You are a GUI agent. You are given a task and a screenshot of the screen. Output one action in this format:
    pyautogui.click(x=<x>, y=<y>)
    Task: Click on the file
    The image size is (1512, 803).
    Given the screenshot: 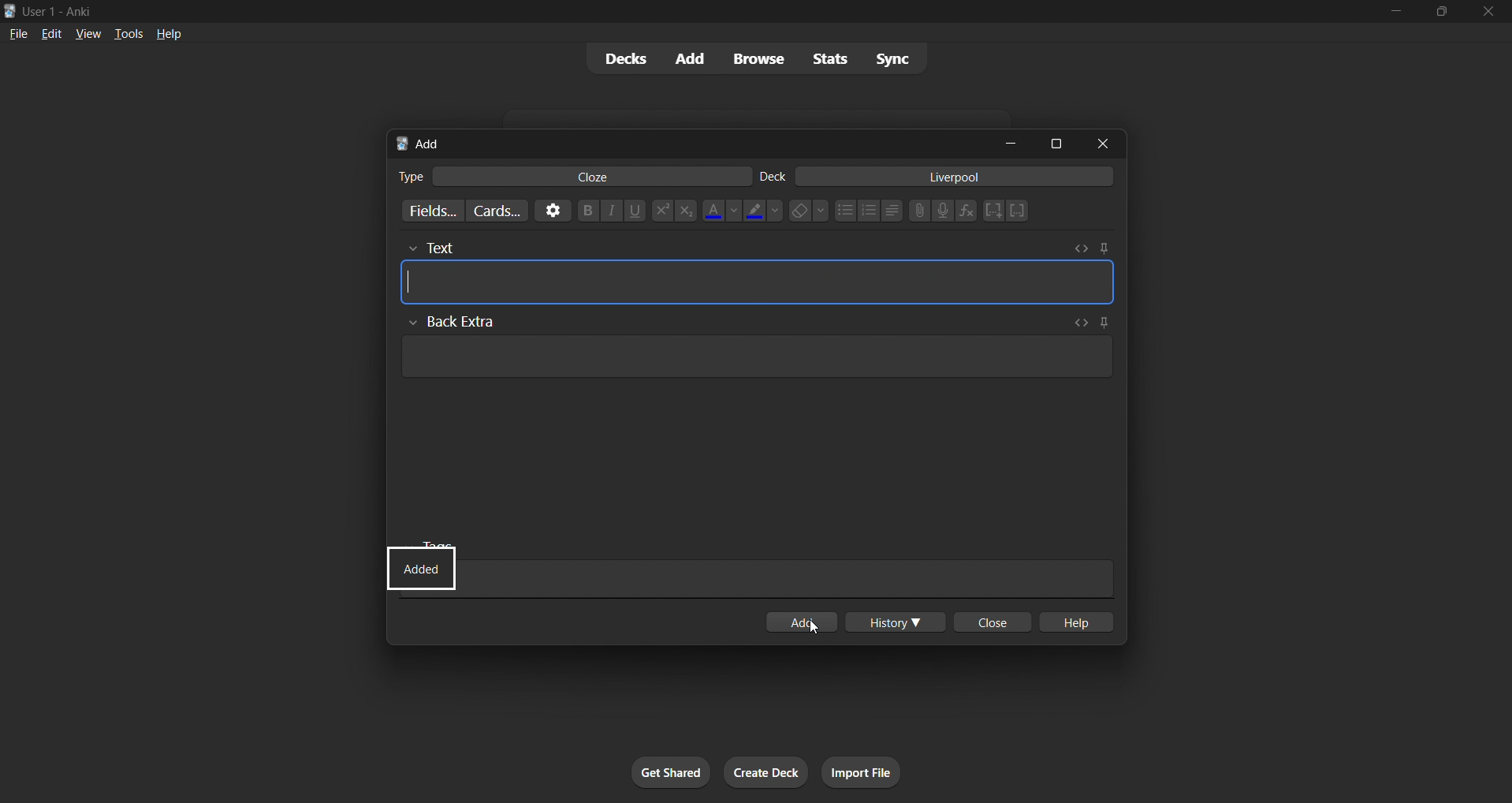 What is the action you would take?
    pyautogui.click(x=17, y=35)
    